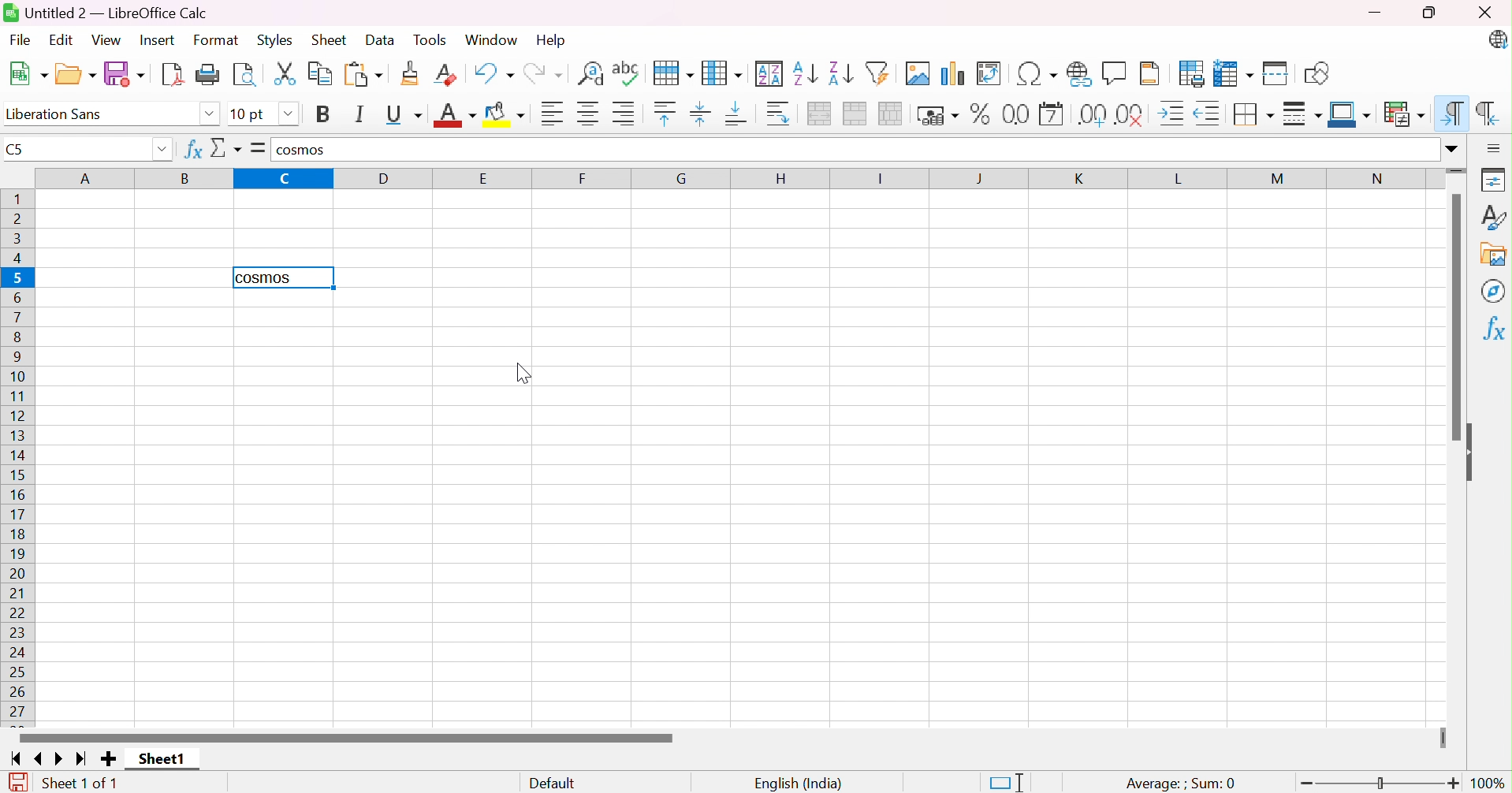  What do you see at coordinates (858, 114) in the screenshot?
I see `Merge Cells` at bounding box center [858, 114].